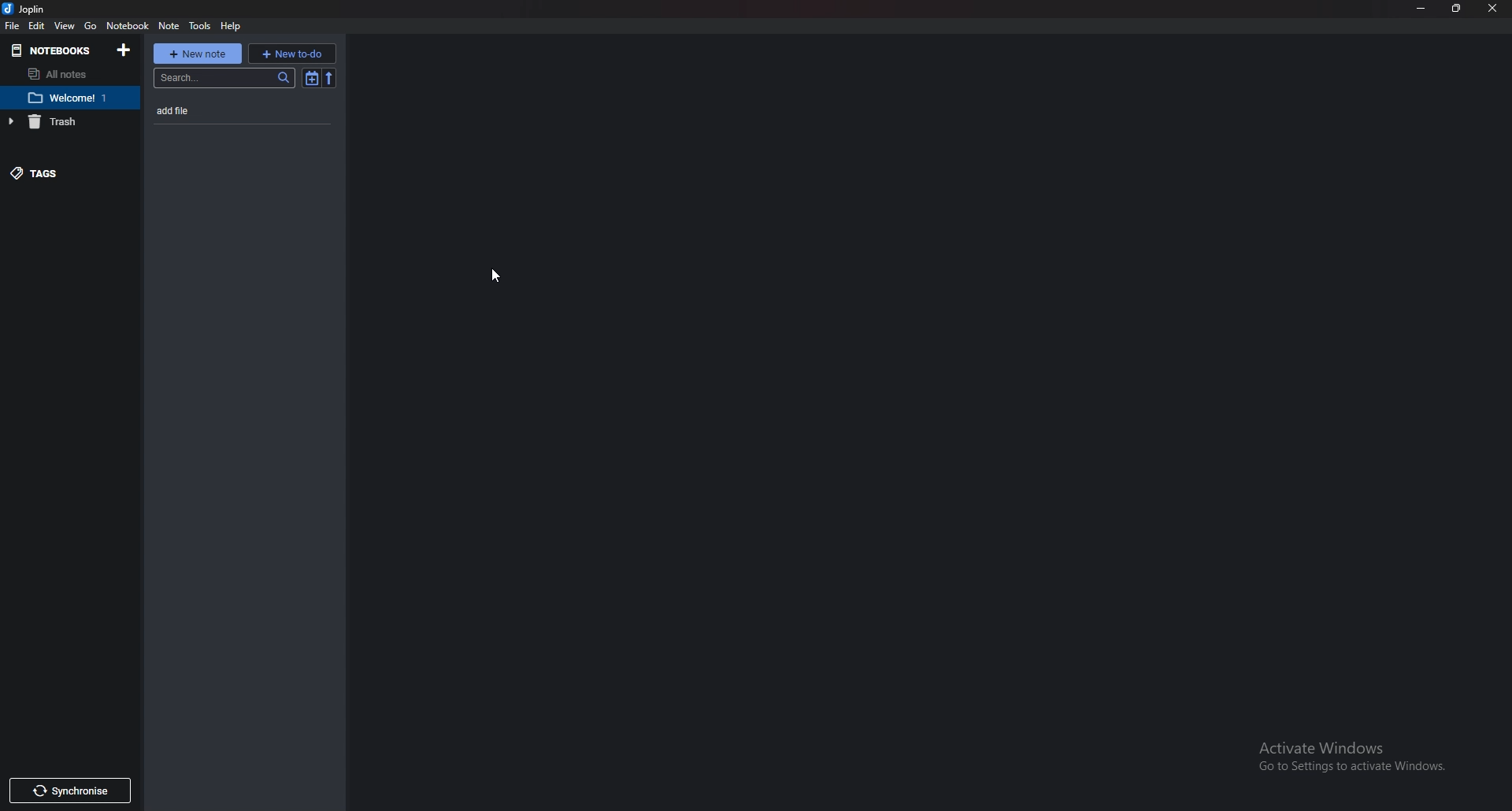 This screenshot has width=1512, height=811. What do you see at coordinates (1422, 8) in the screenshot?
I see `Minimize` at bounding box center [1422, 8].